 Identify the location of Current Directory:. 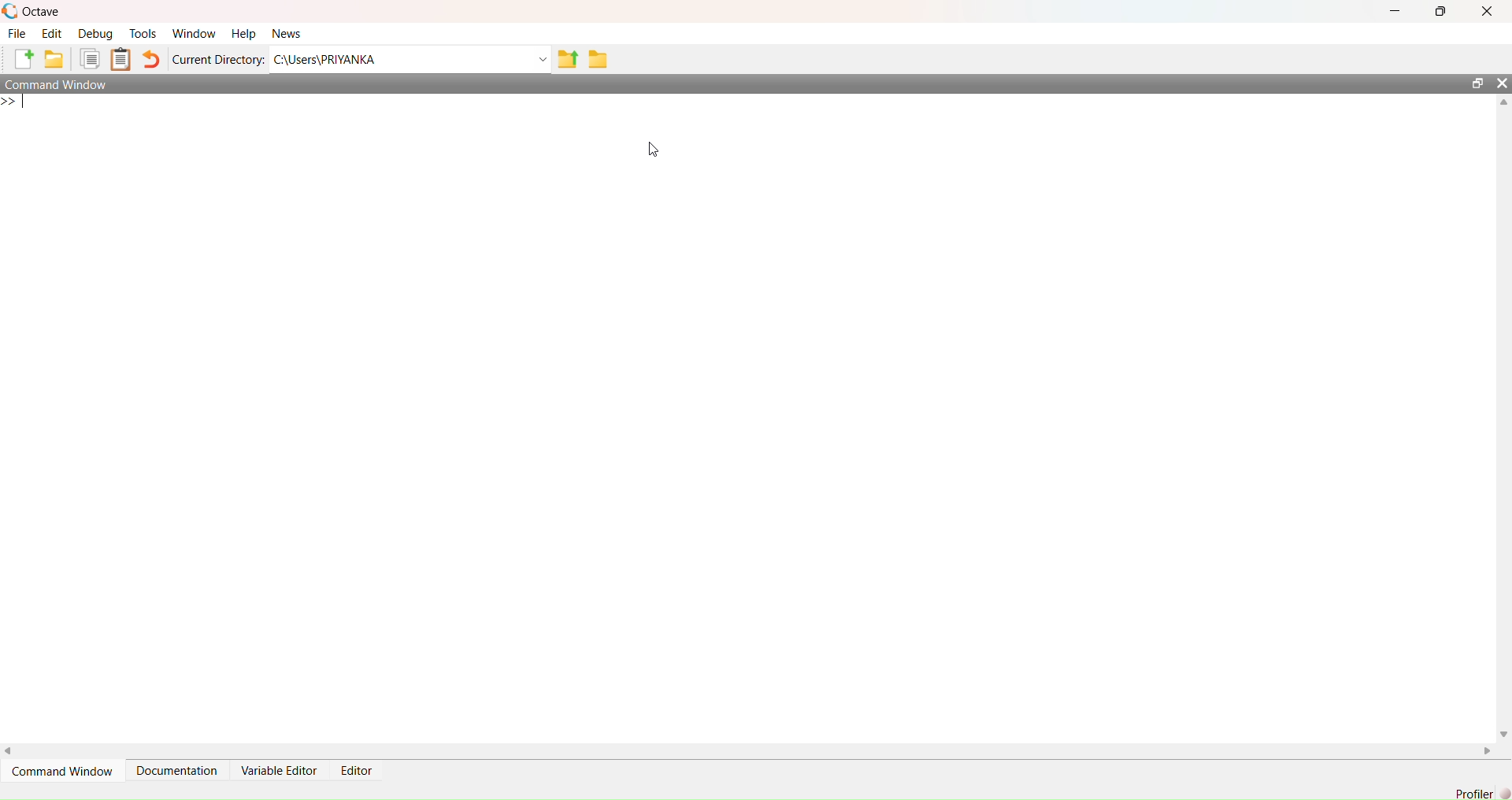
(218, 59).